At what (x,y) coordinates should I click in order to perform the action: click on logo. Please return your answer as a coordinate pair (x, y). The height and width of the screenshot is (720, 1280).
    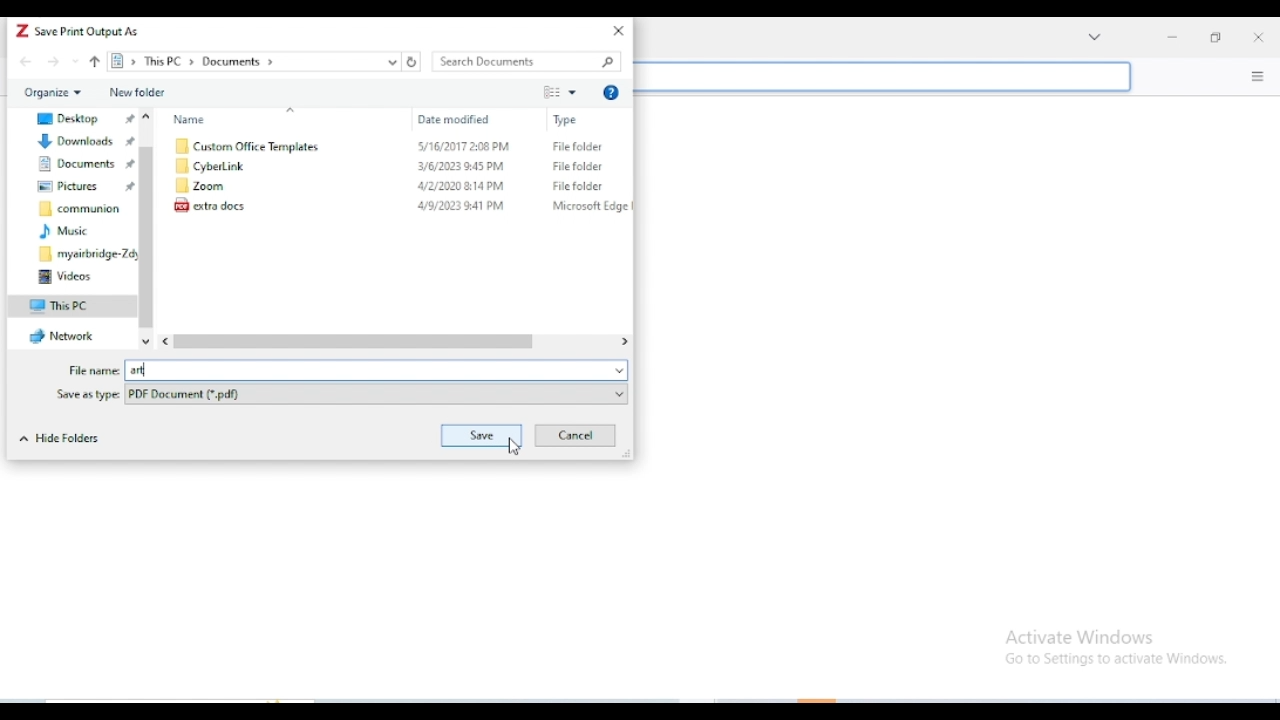
    Looking at the image, I should click on (22, 30).